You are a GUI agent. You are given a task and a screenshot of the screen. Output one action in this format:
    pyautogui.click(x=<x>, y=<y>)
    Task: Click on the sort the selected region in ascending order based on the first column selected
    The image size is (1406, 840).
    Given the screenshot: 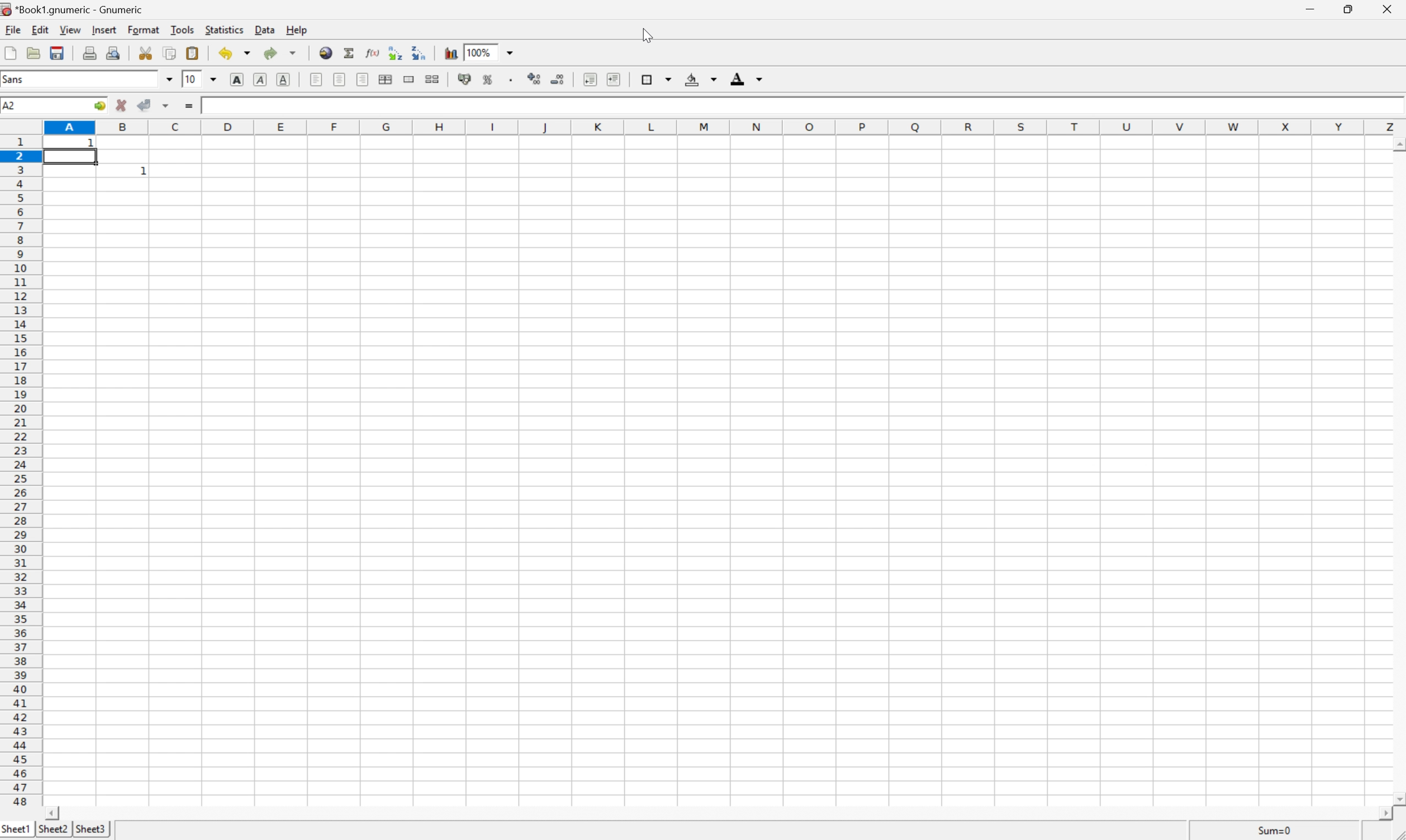 What is the action you would take?
    pyautogui.click(x=396, y=53)
    